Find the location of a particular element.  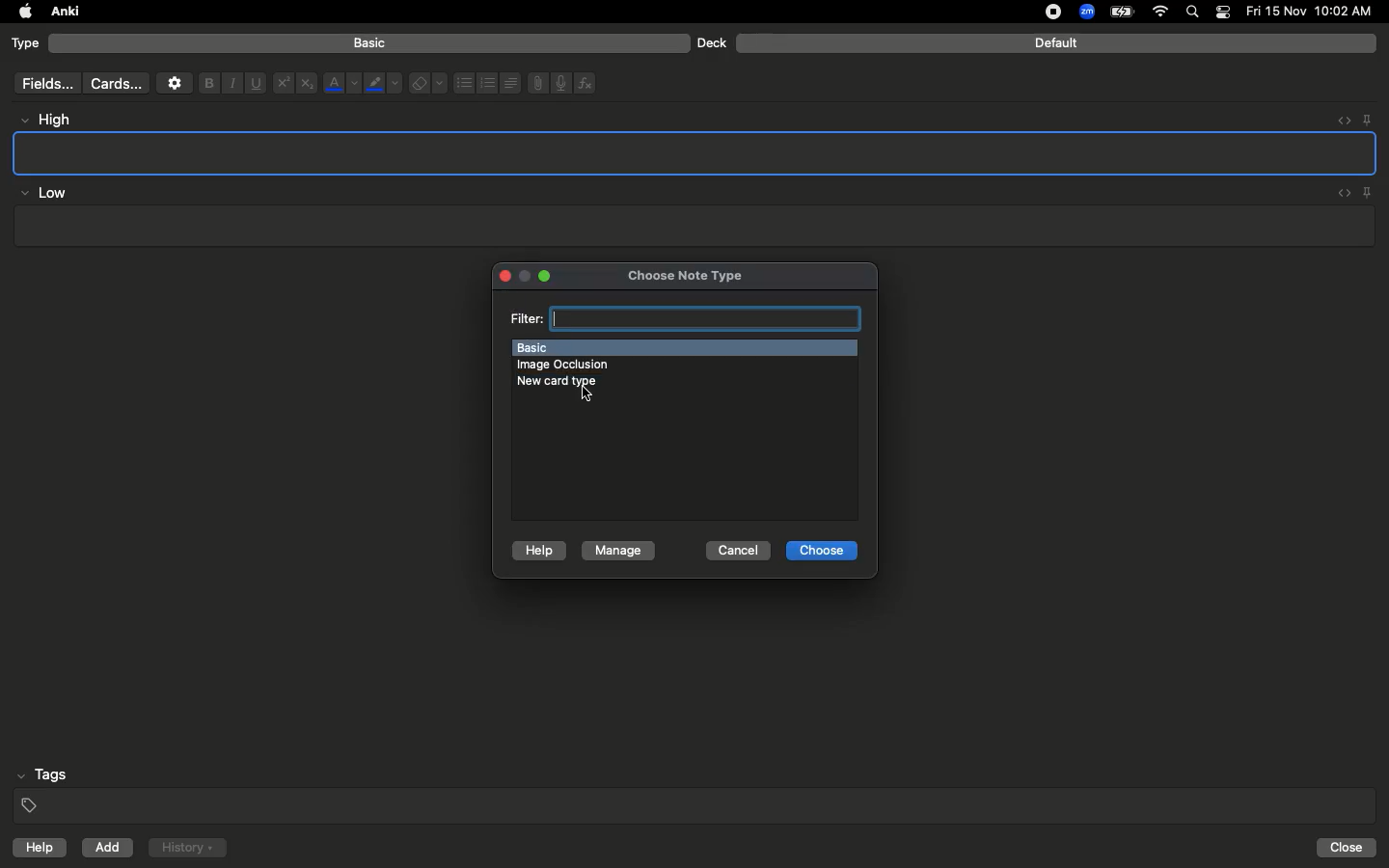

Choose is located at coordinates (822, 552).